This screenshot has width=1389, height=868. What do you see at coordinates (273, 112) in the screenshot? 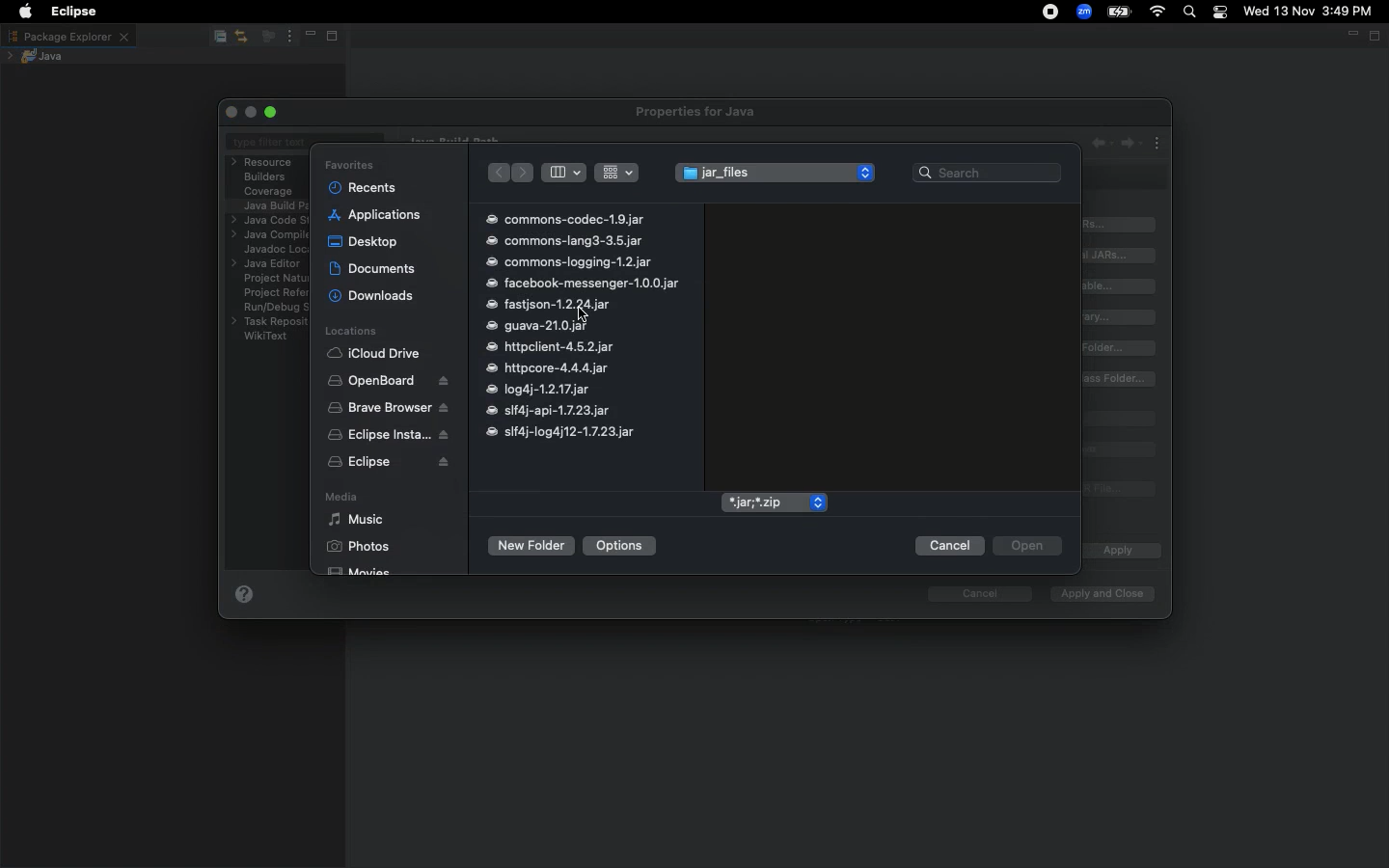
I see `Maximize` at bounding box center [273, 112].